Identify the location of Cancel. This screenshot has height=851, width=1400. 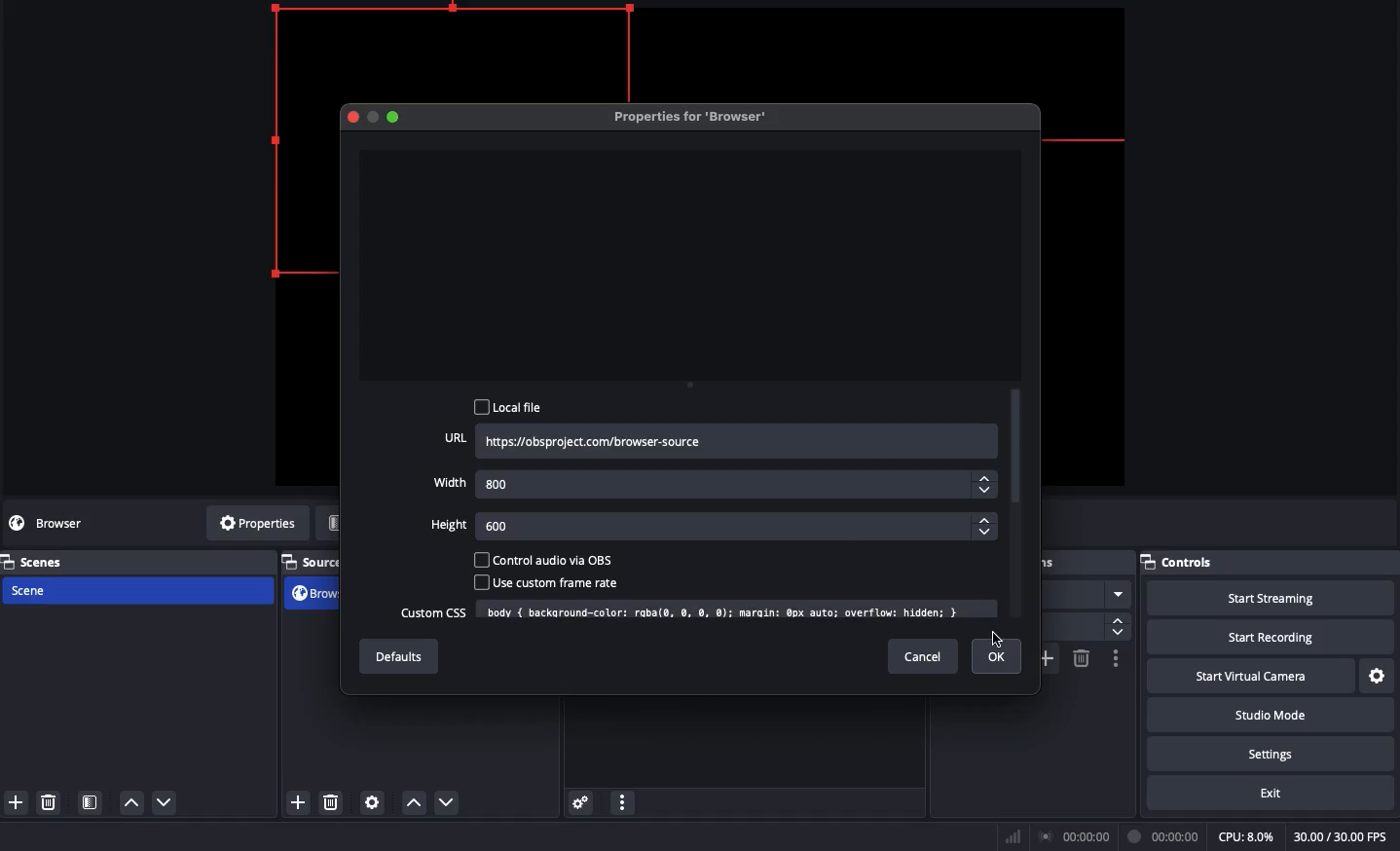
(922, 656).